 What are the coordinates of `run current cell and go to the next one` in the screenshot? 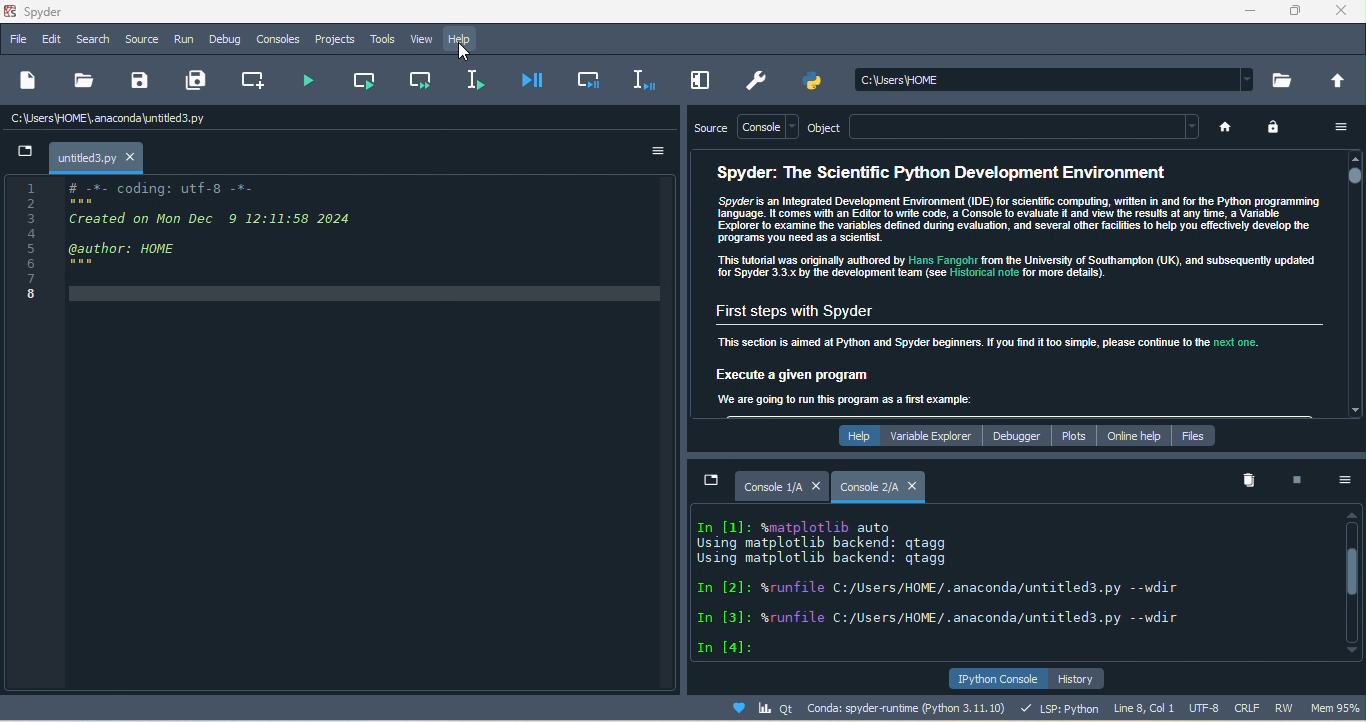 It's located at (416, 80).